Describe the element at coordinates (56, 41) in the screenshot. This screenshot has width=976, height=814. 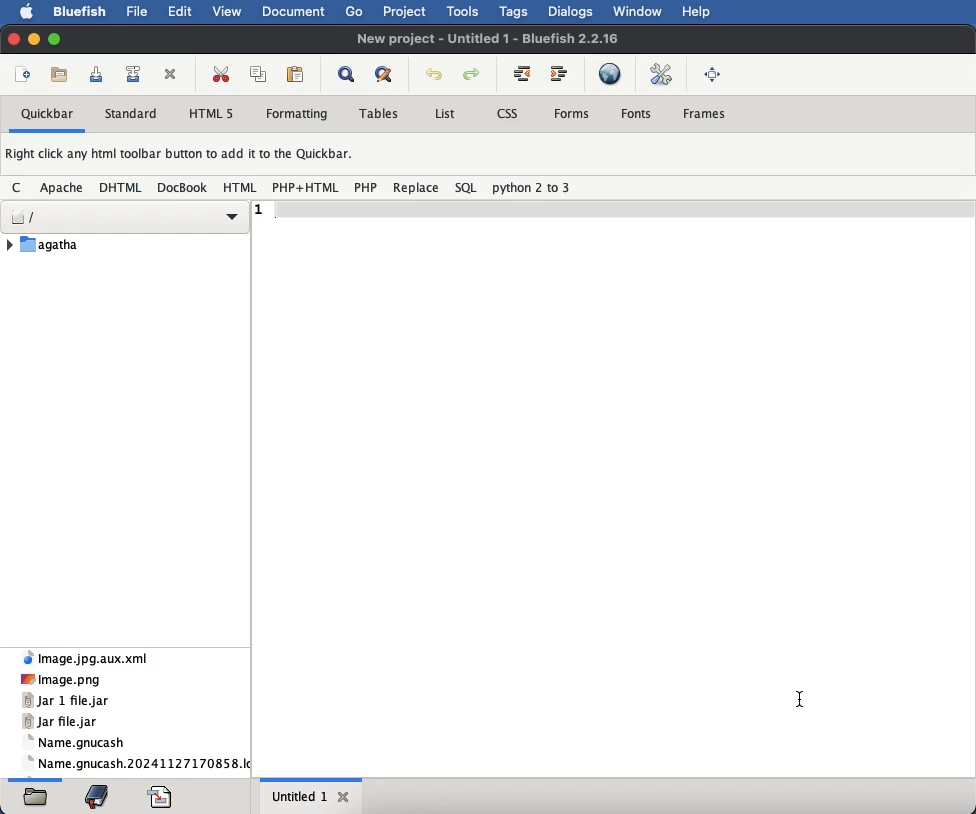
I see `maximize` at that location.